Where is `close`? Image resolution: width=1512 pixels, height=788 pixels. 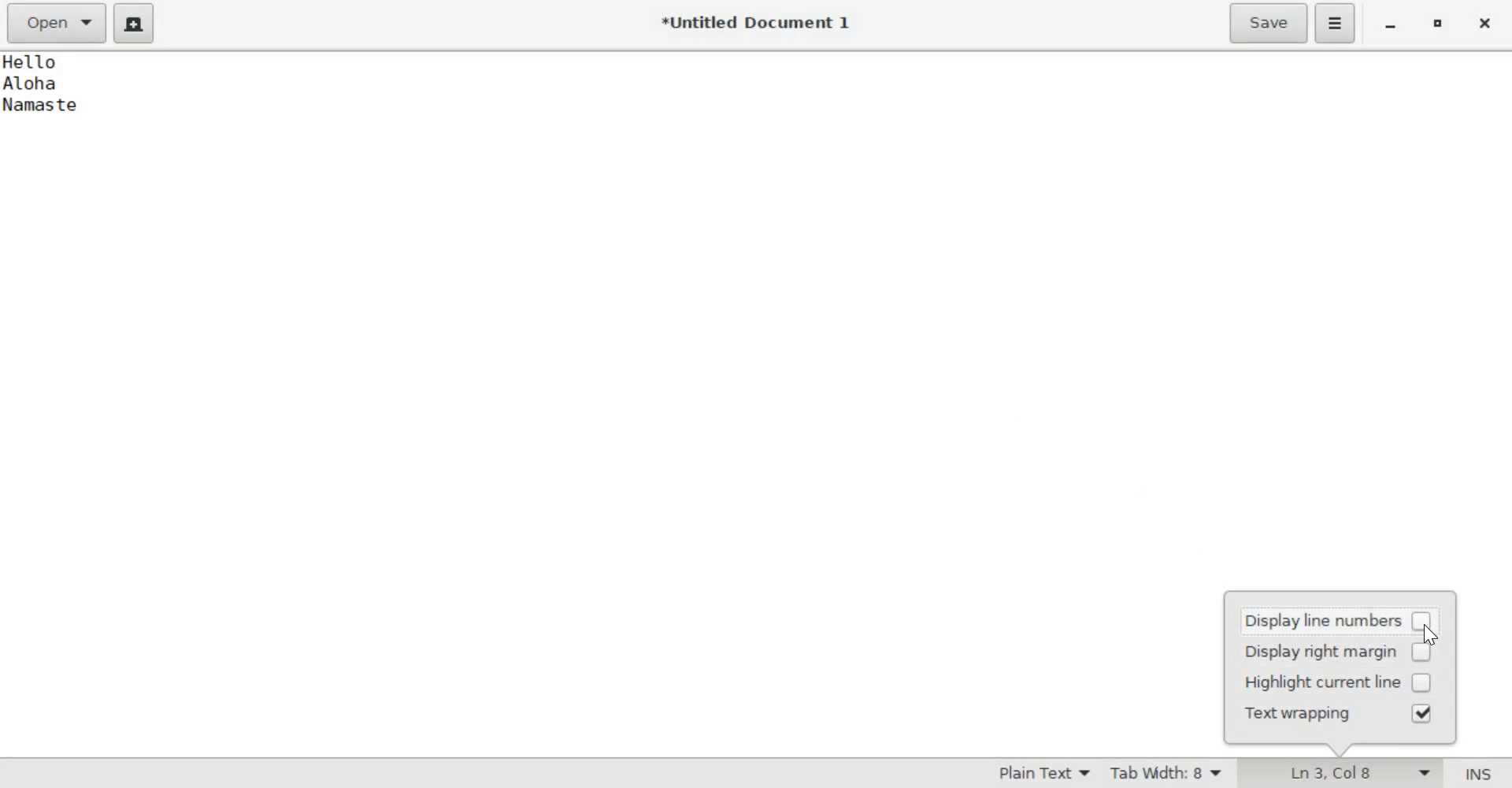
close is located at coordinates (1487, 23).